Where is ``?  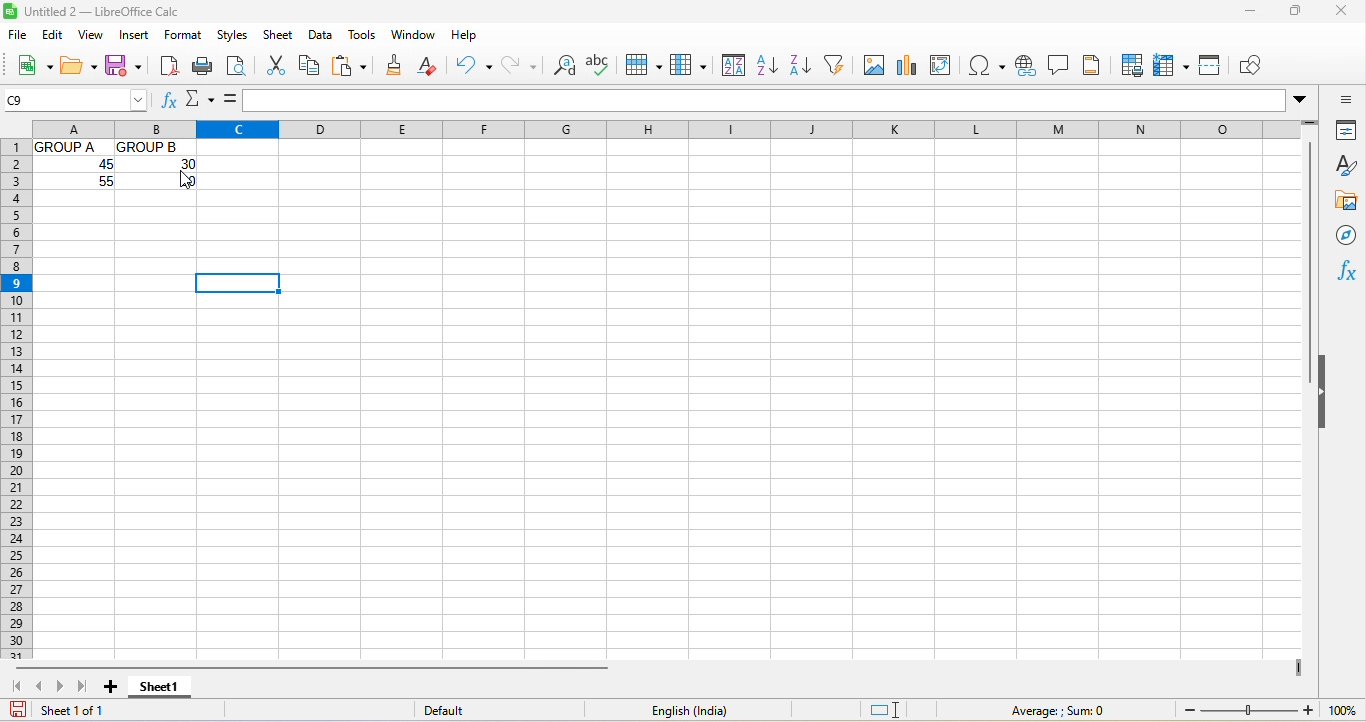
 is located at coordinates (75, 164).